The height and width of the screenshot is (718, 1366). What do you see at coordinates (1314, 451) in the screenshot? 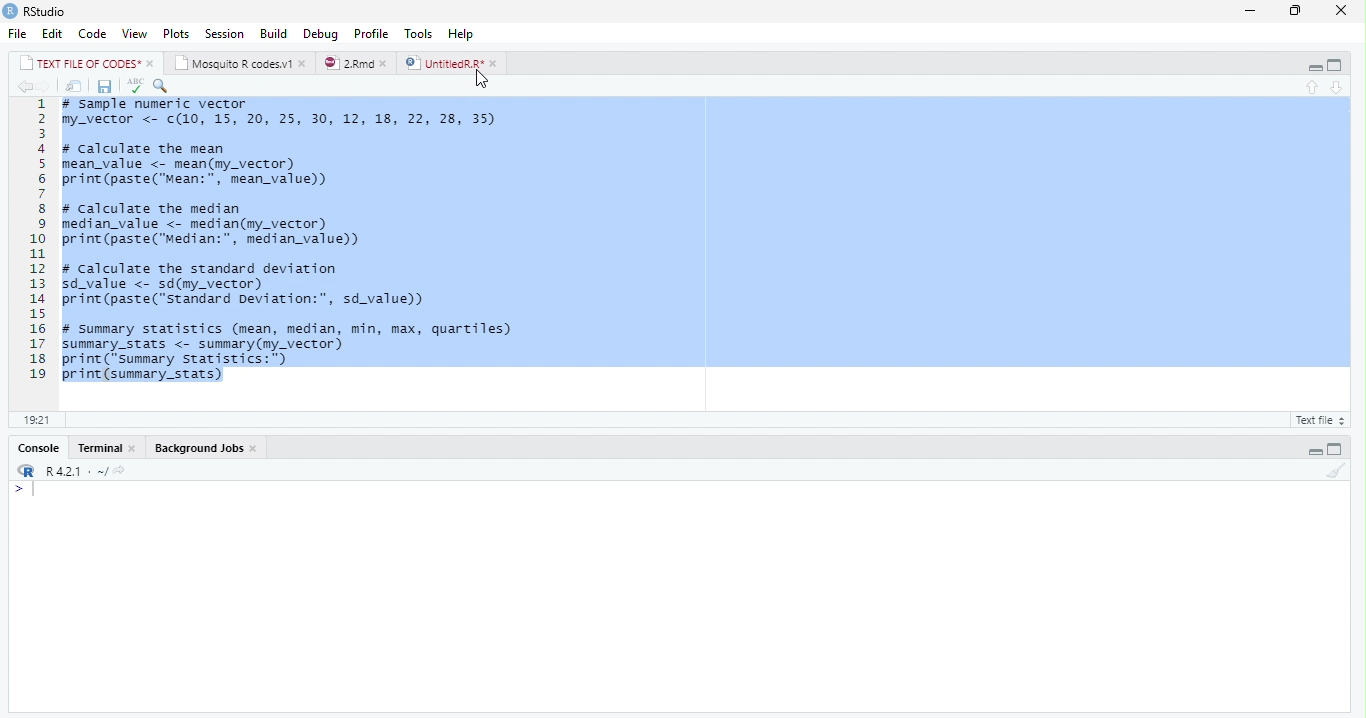
I see `minimize` at bounding box center [1314, 451].